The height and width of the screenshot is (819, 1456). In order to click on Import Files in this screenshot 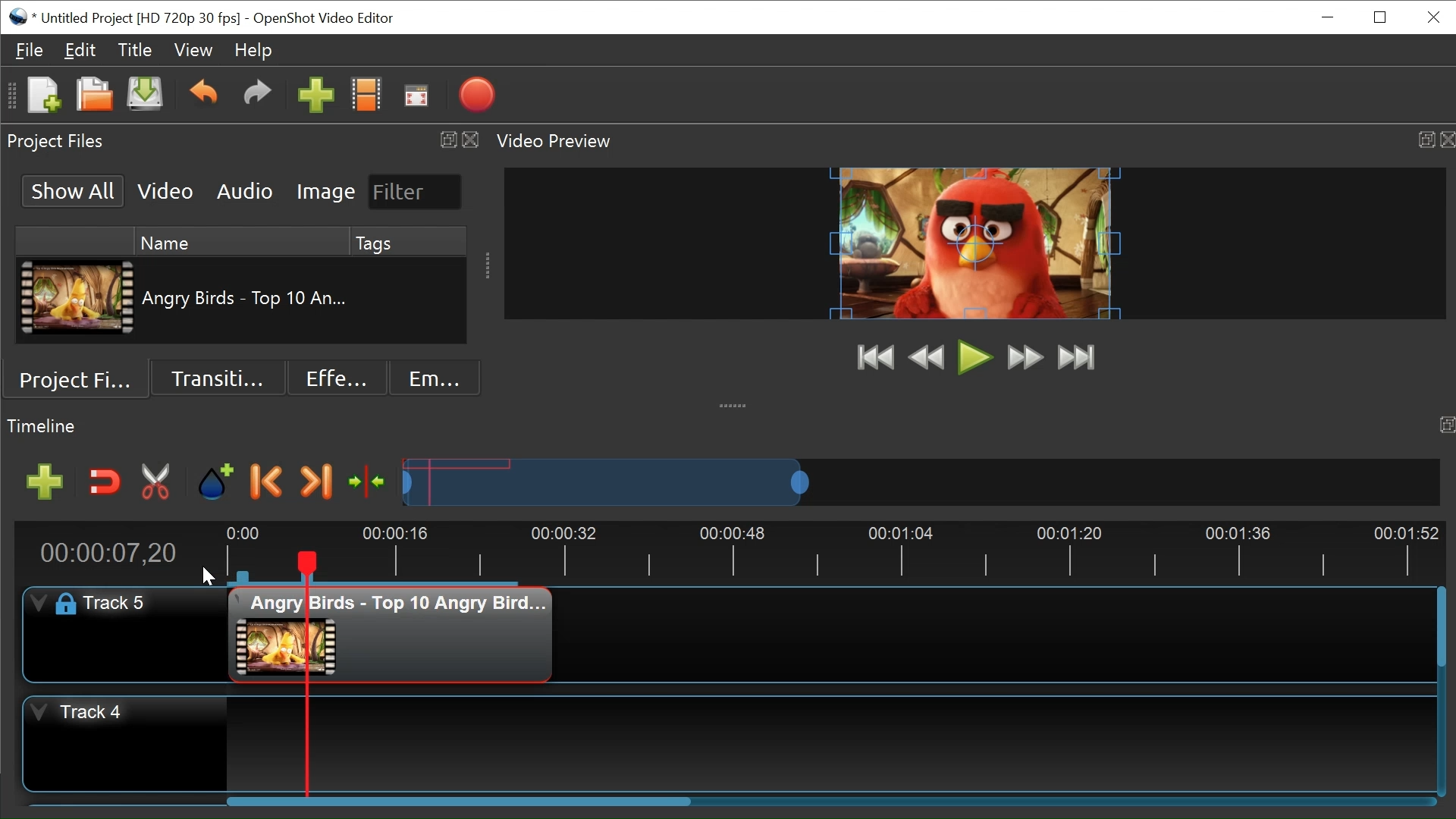, I will do `click(316, 96)`.